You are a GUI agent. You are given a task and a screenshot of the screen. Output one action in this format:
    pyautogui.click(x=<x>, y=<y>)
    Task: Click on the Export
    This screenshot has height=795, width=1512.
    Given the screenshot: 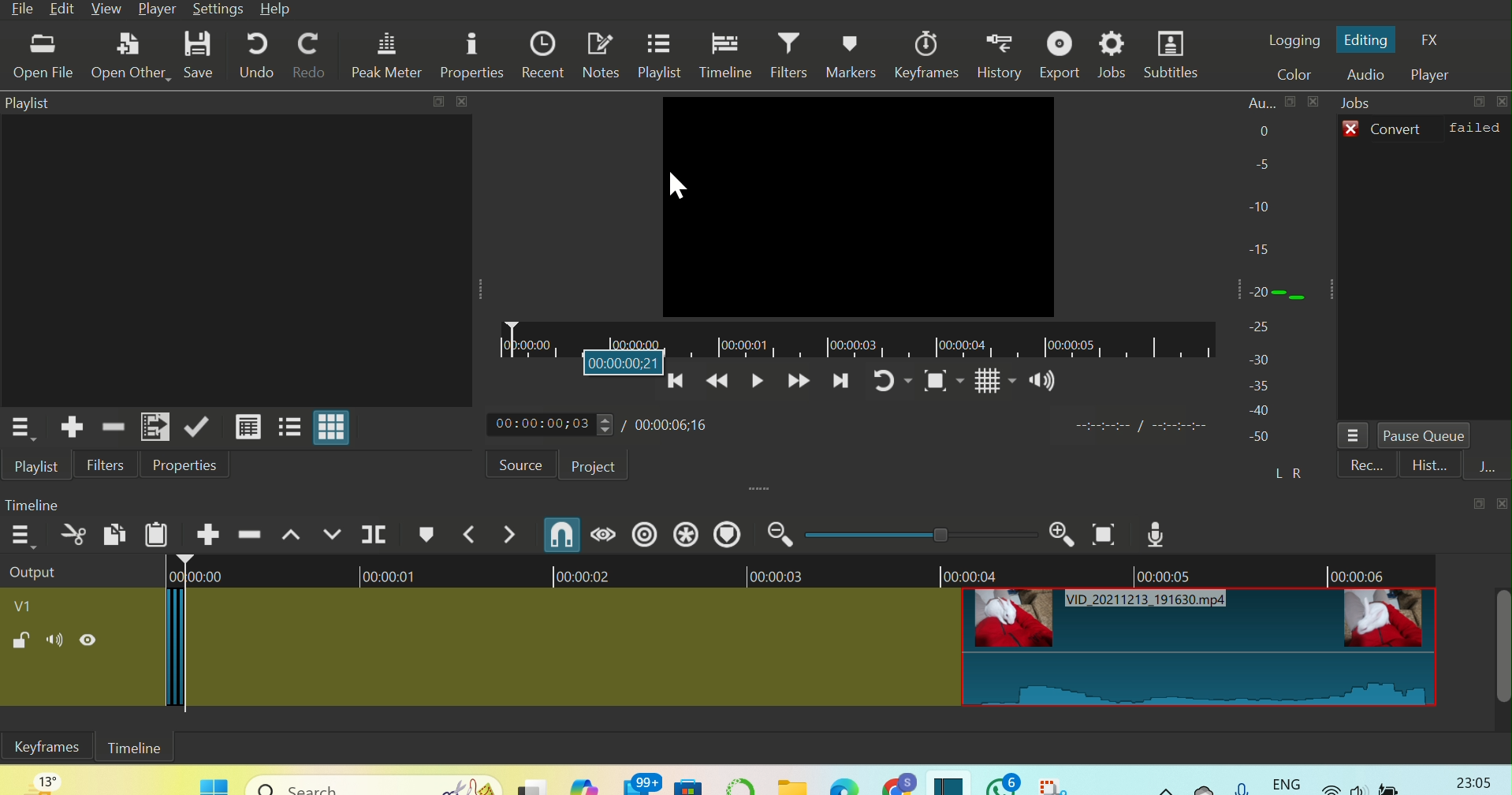 What is the action you would take?
    pyautogui.click(x=1060, y=54)
    